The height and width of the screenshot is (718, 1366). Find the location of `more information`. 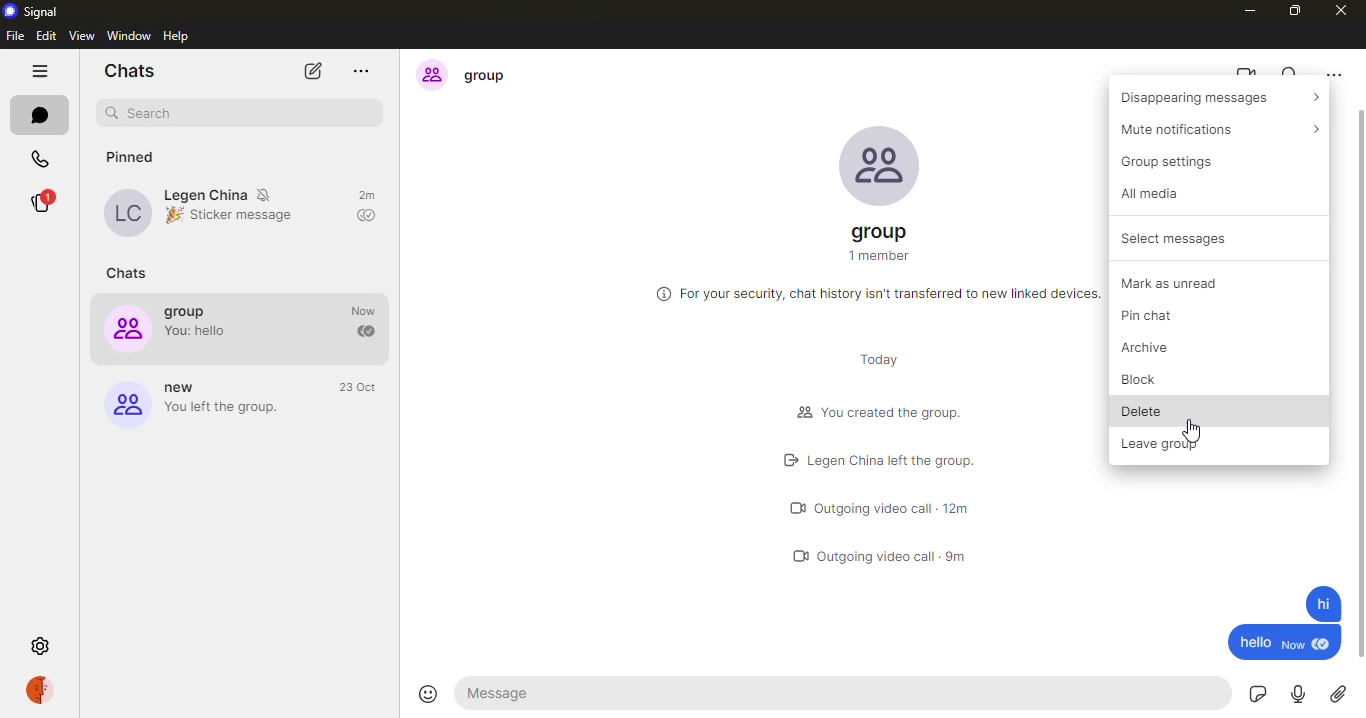

more information is located at coordinates (661, 294).